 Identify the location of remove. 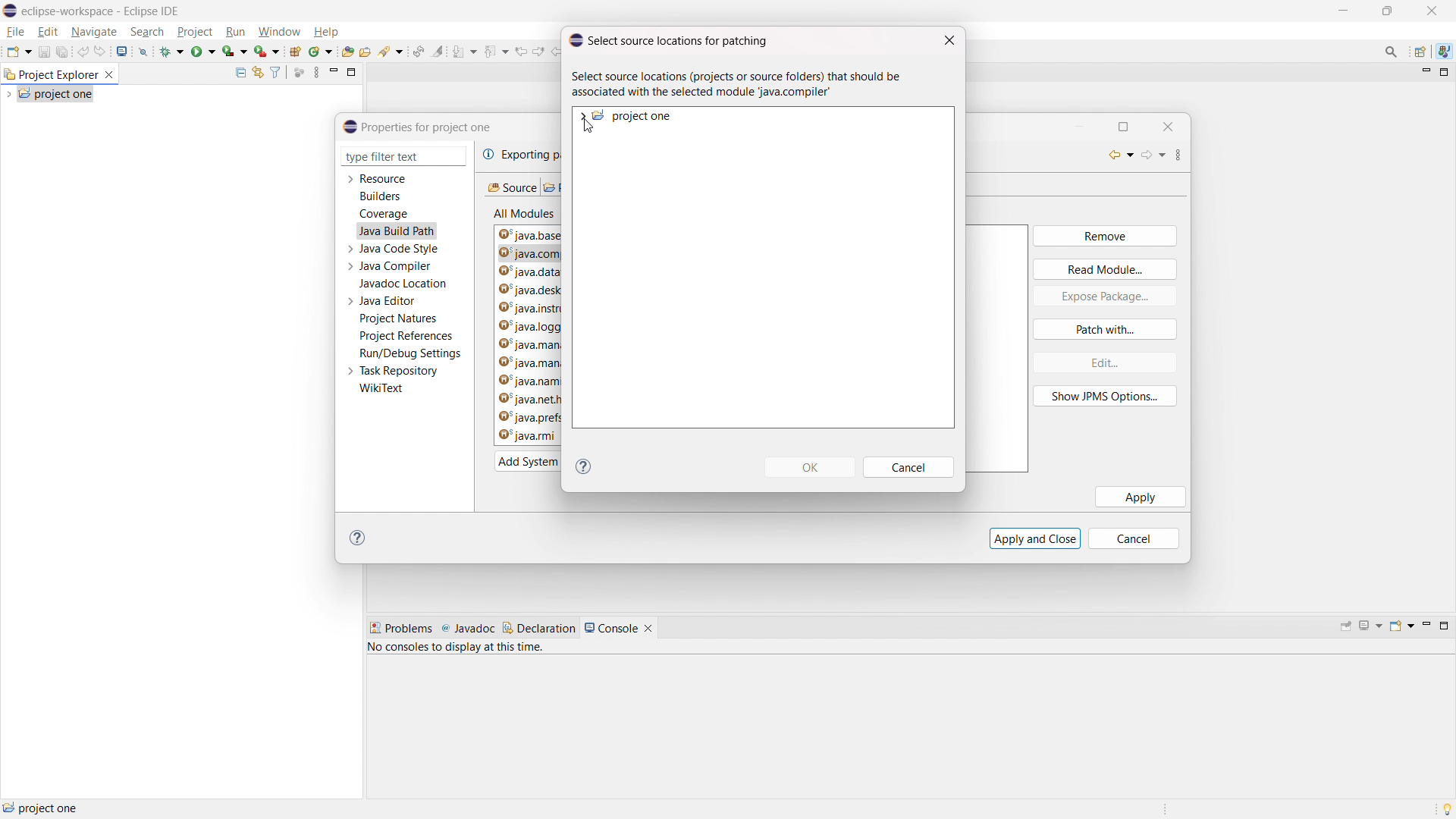
(1104, 237).